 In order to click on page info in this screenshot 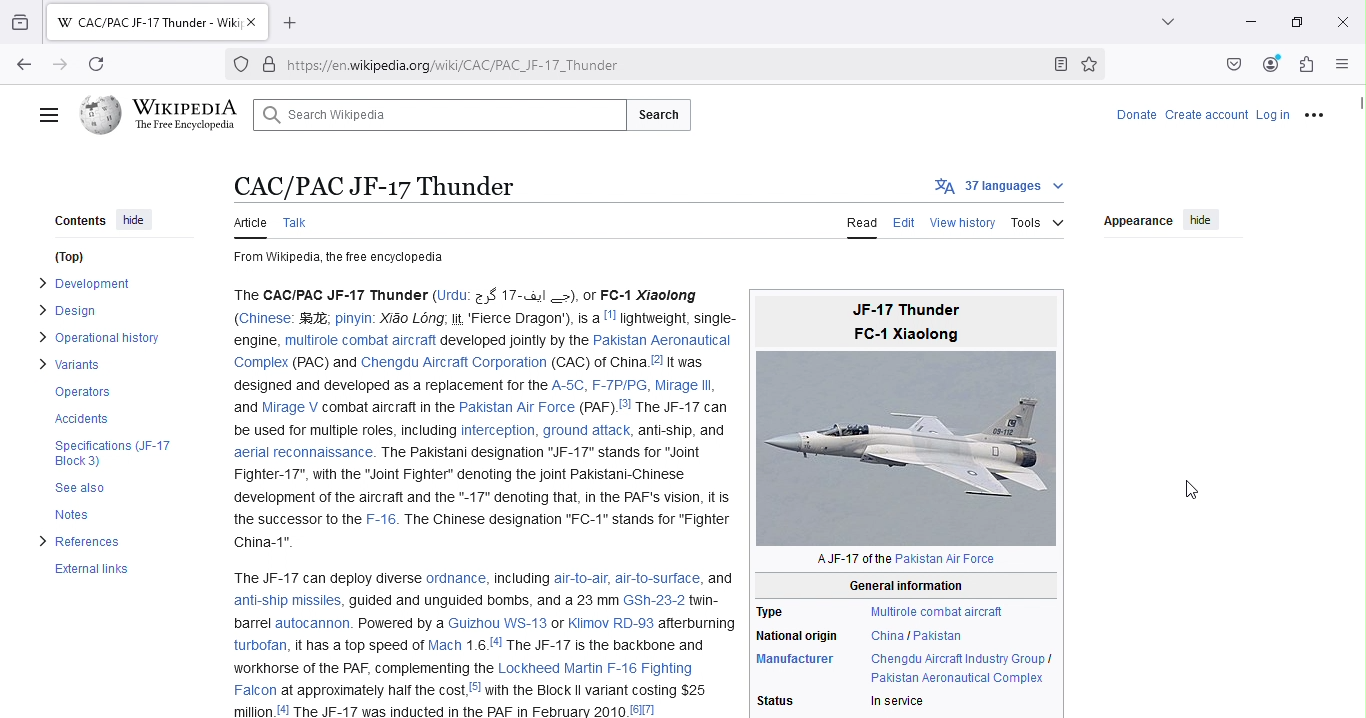, I will do `click(482, 500)`.